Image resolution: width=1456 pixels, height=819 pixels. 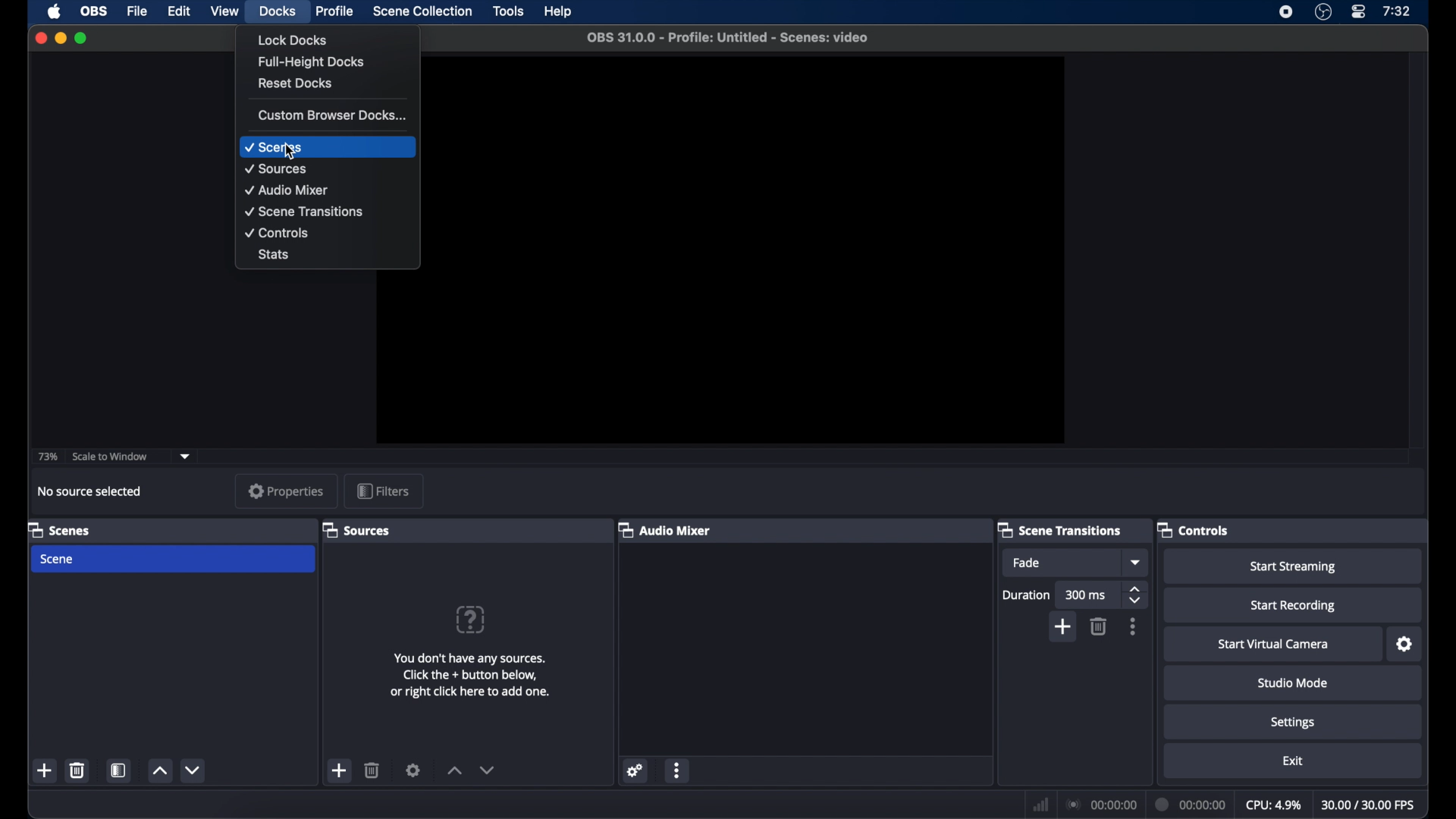 I want to click on add, so click(x=45, y=770).